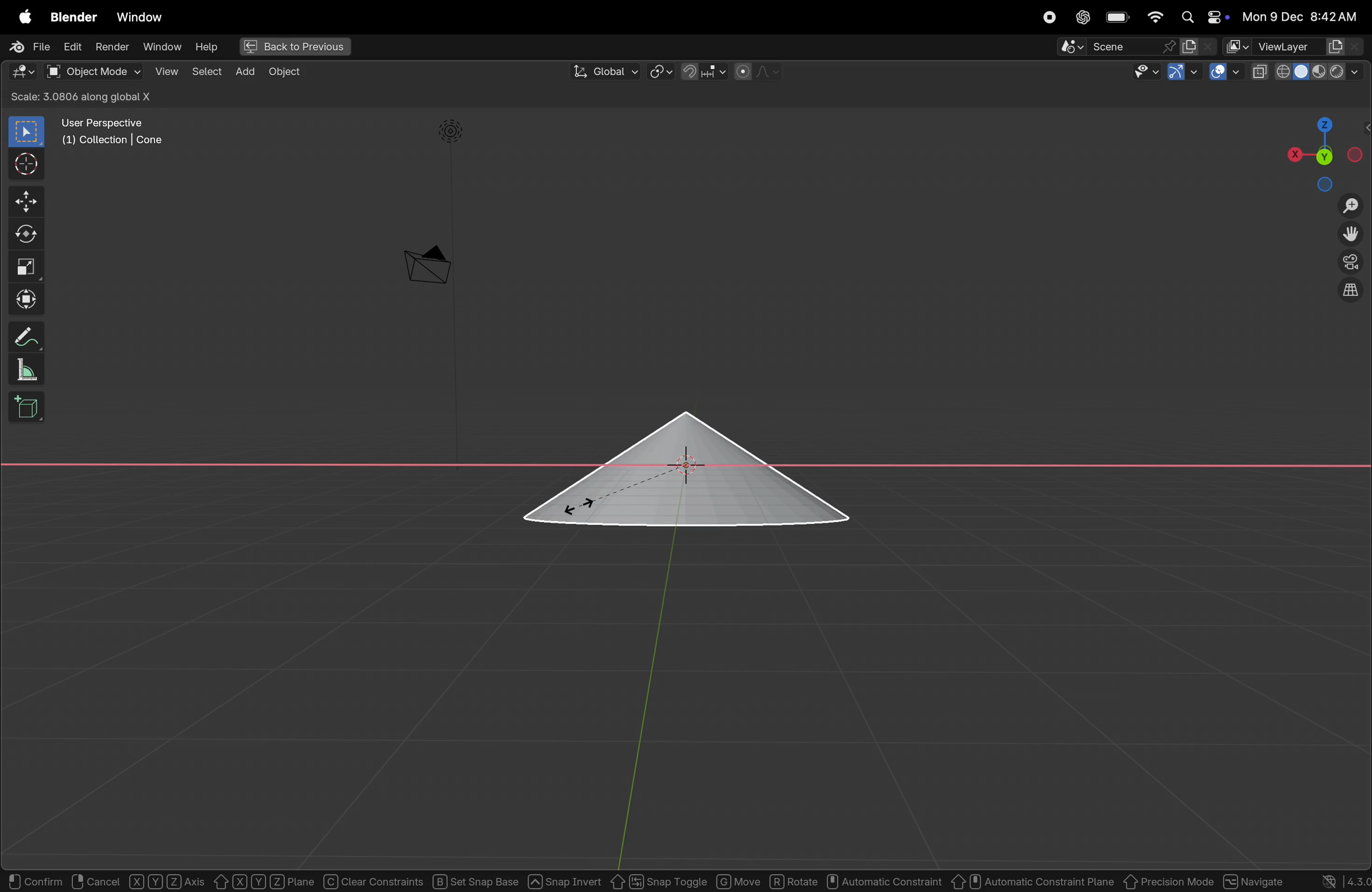  I want to click on Window, so click(140, 17).